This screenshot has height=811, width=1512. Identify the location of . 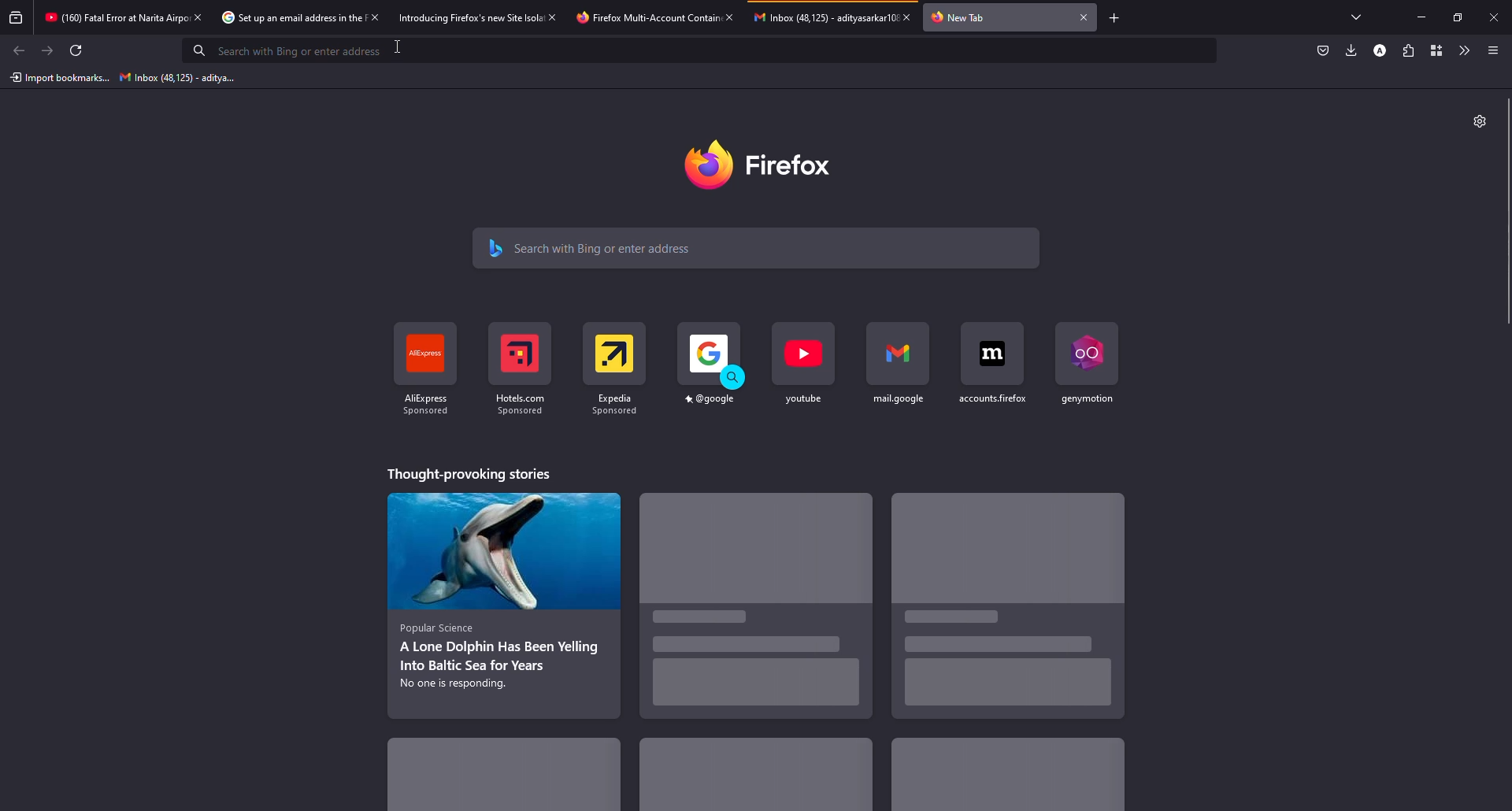
(49, 50).